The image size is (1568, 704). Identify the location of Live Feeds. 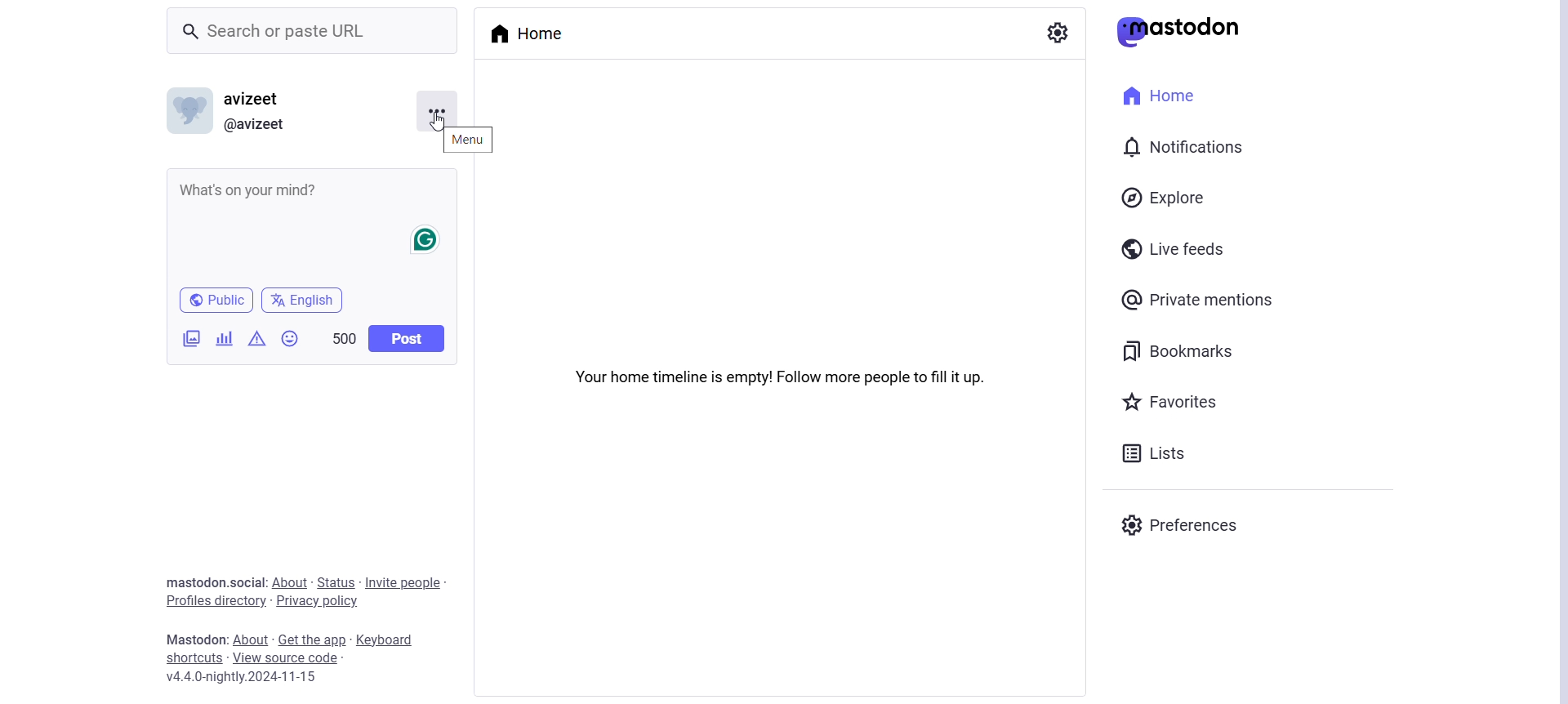
(1186, 251).